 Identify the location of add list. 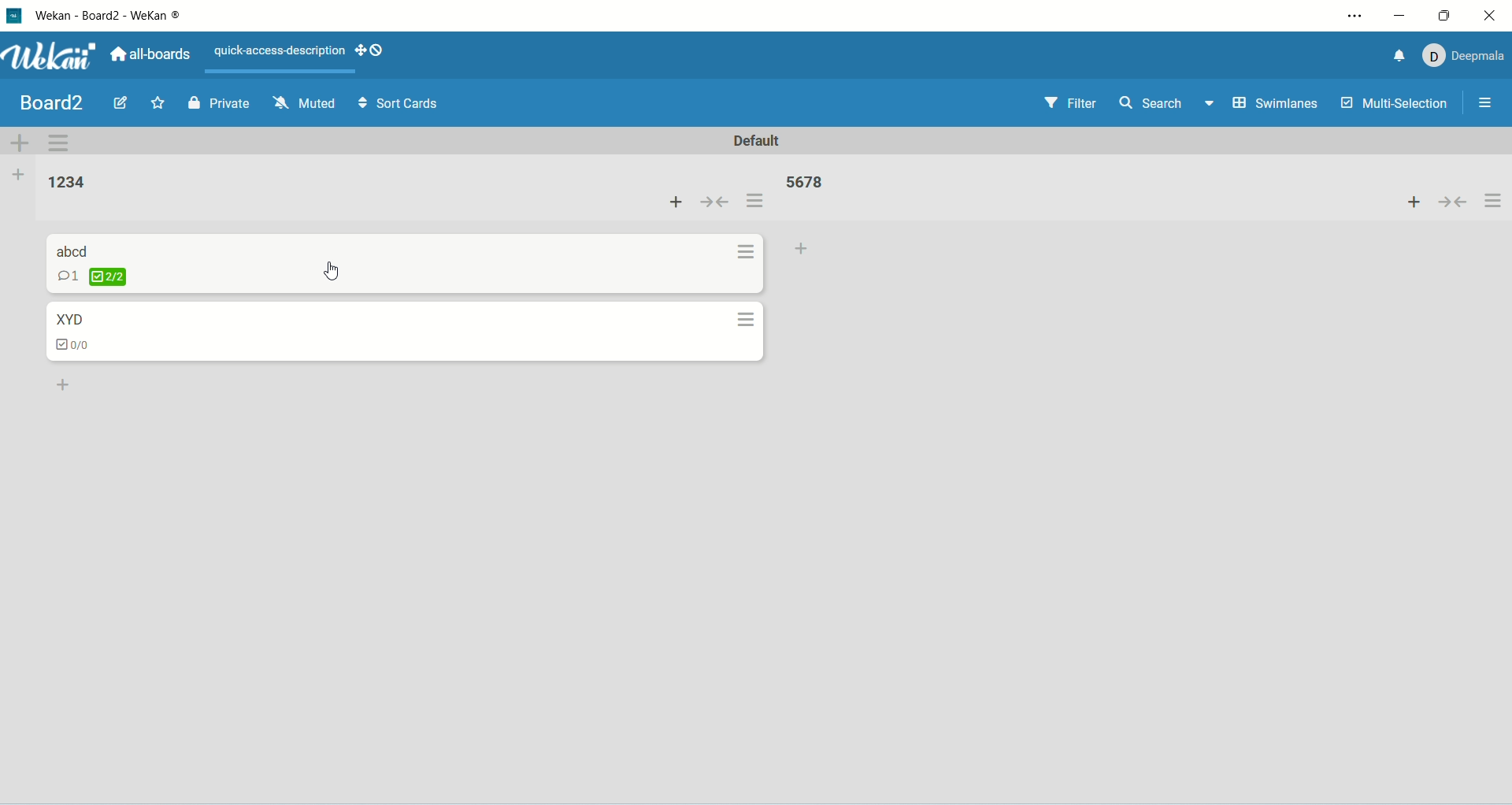
(20, 175).